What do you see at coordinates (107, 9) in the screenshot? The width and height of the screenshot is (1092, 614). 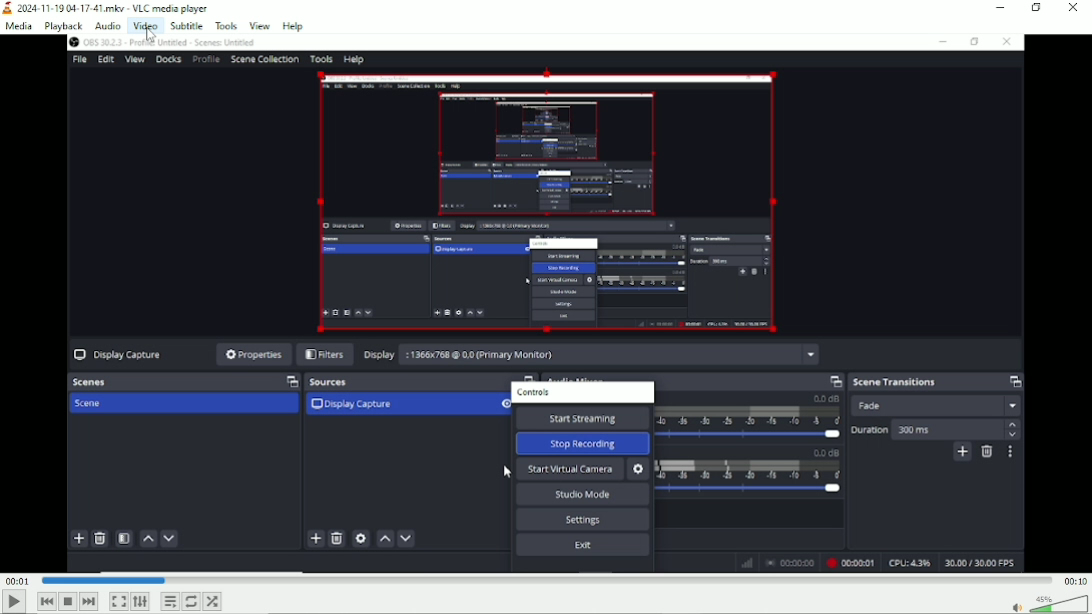 I see `title` at bounding box center [107, 9].